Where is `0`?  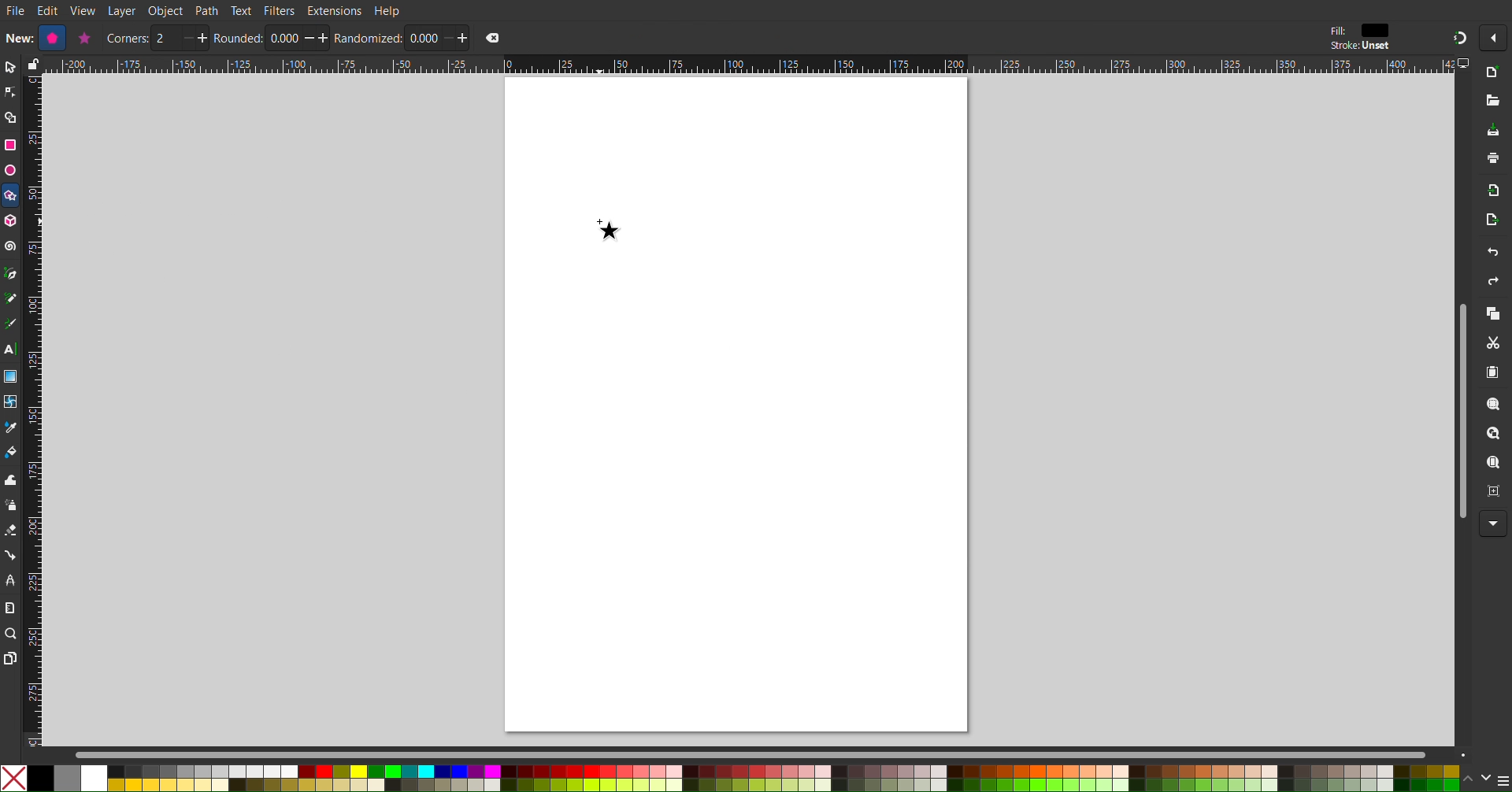 0 is located at coordinates (283, 39).